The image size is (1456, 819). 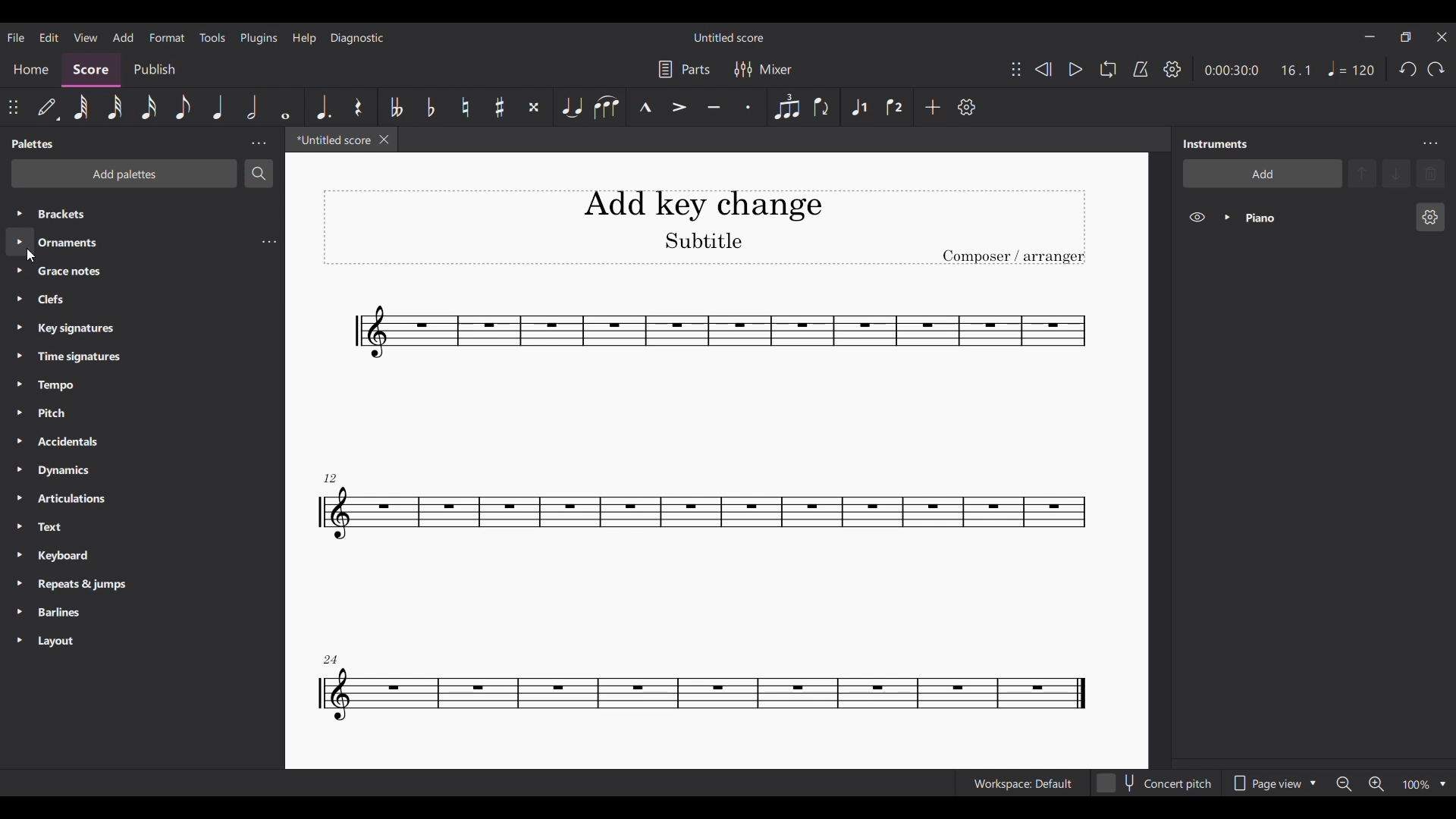 I want to click on Close tab, so click(x=384, y=140).